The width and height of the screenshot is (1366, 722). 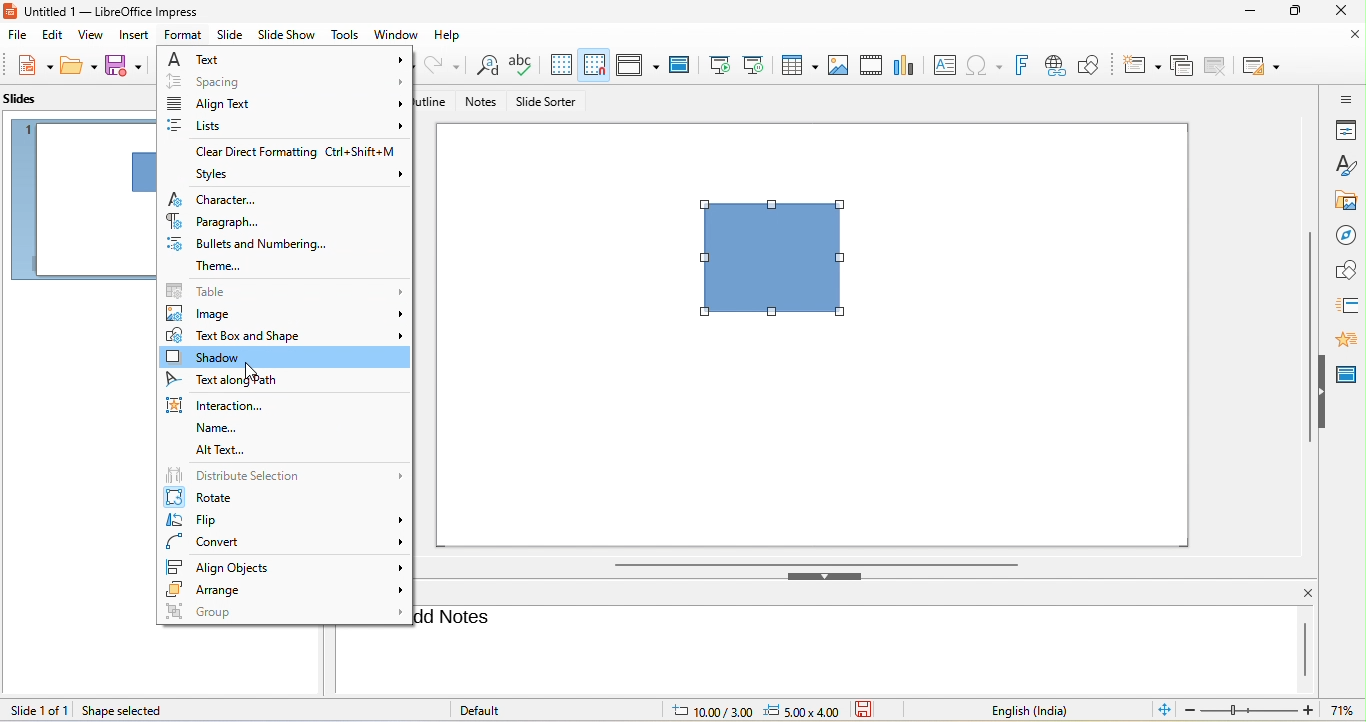 What do you see at coordinates (1345, 164) in the screenshot?
I see `styles` at bounding box center [1345, 164].